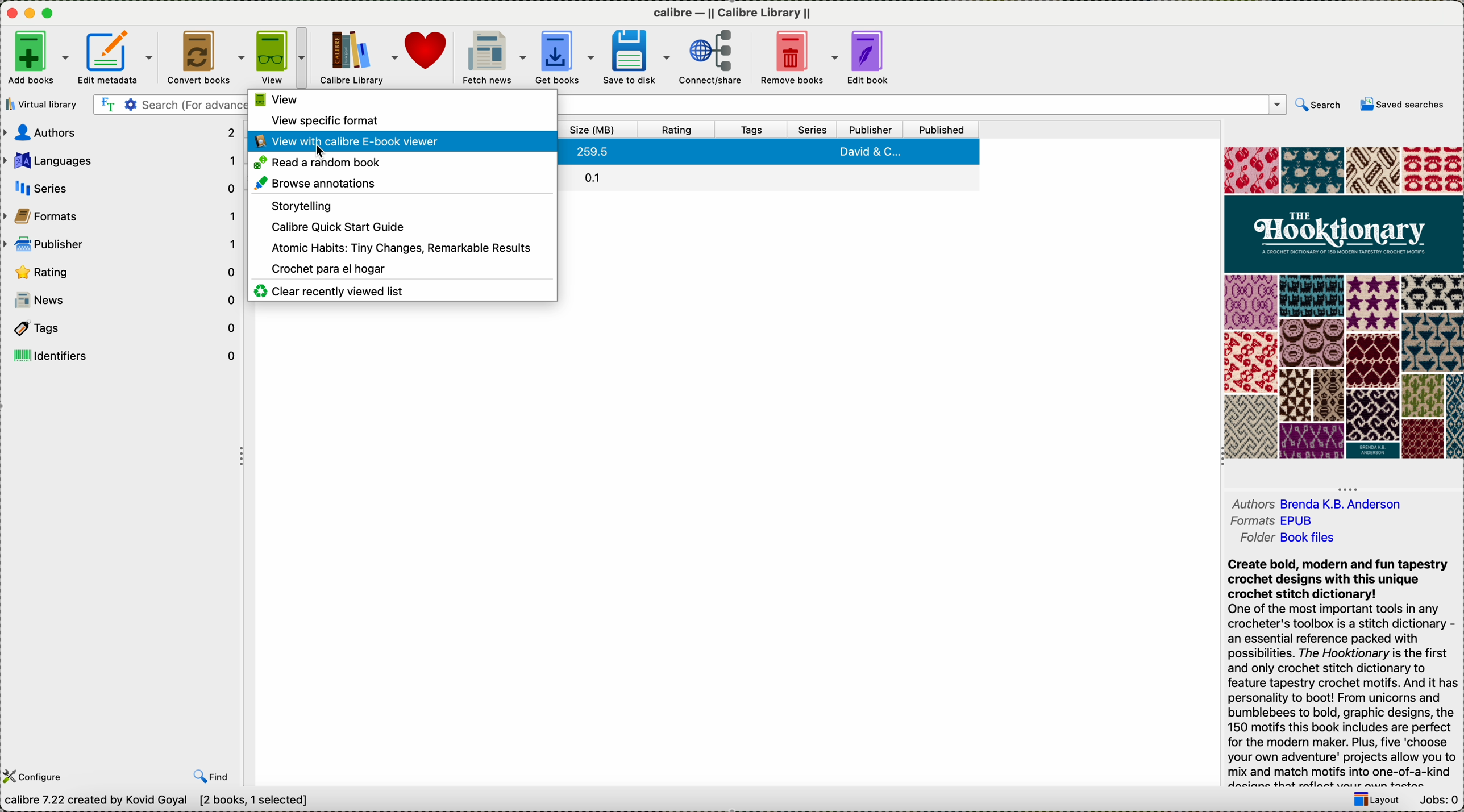 Image resolution: width=1464 pixels, height=812 pixels. I want to click on data, so click(160, 802).